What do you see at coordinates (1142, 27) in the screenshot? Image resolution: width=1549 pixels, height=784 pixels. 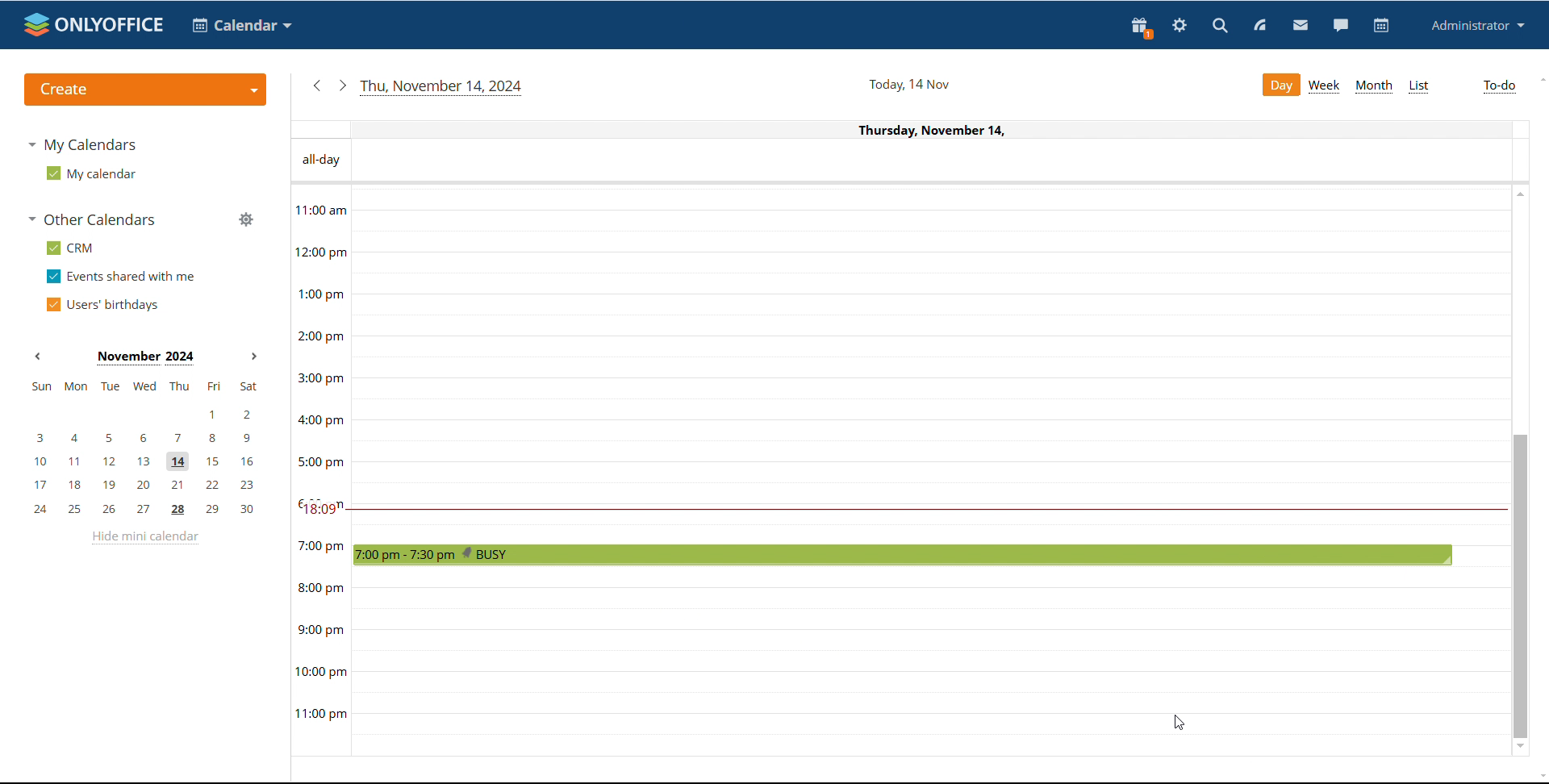 I see `present` at bounding box center [1142, 27].